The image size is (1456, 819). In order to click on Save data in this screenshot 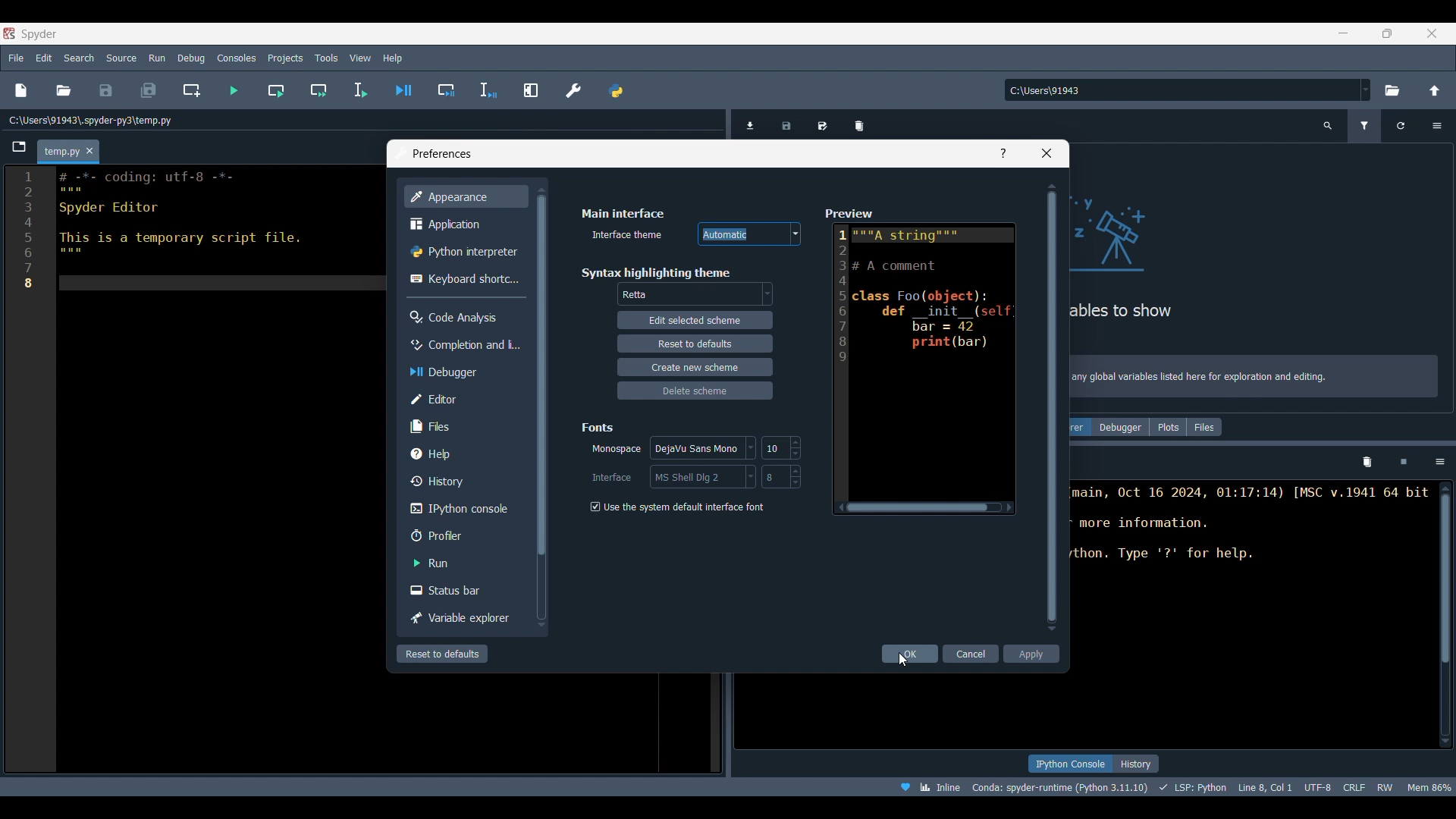, I will do `click(787, 123)`.